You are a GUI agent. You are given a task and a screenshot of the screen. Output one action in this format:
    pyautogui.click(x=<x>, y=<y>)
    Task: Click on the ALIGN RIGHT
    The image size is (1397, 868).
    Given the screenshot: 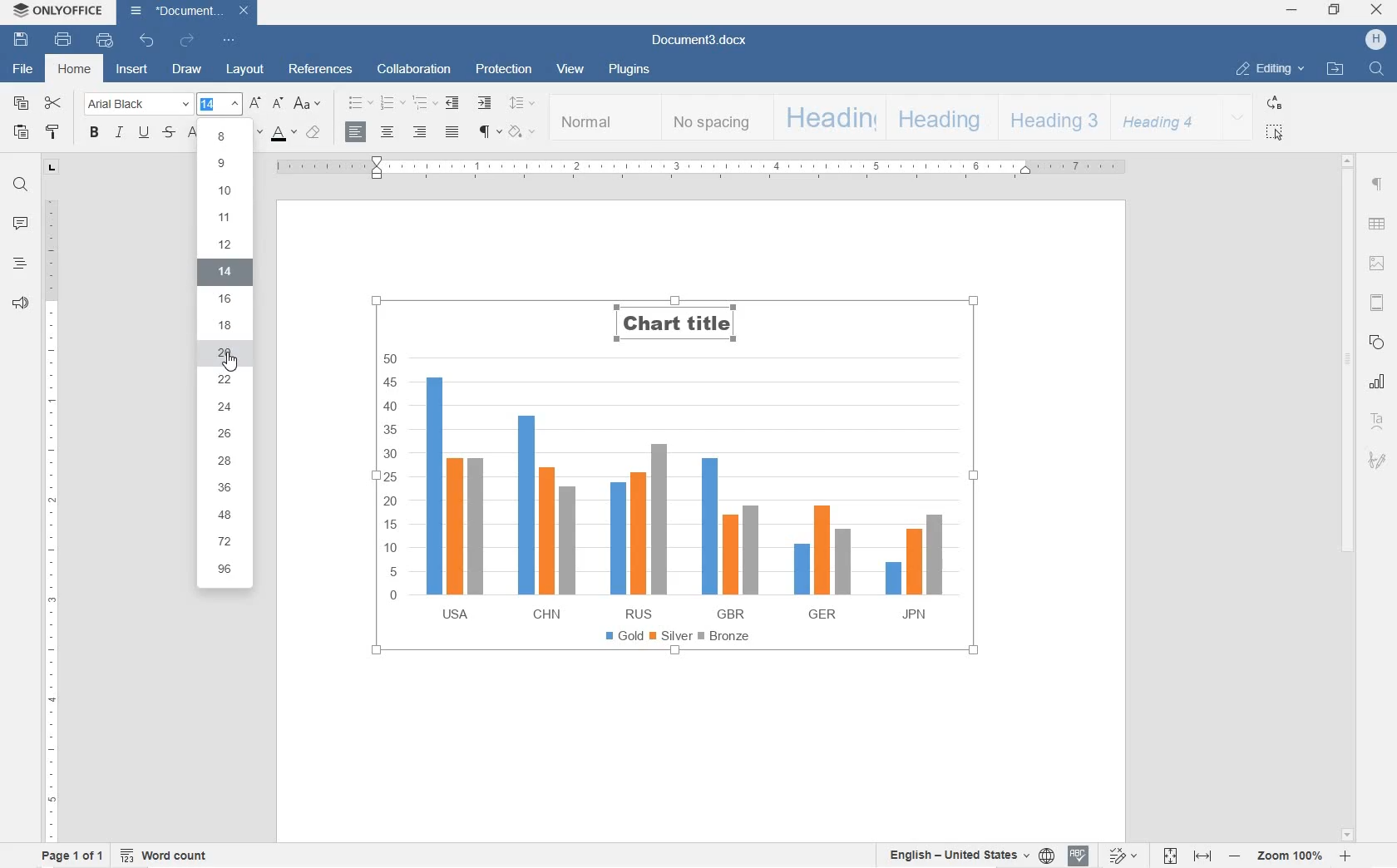 What is the action you would take?
    pyautogui.click(x=420, y=132)
    